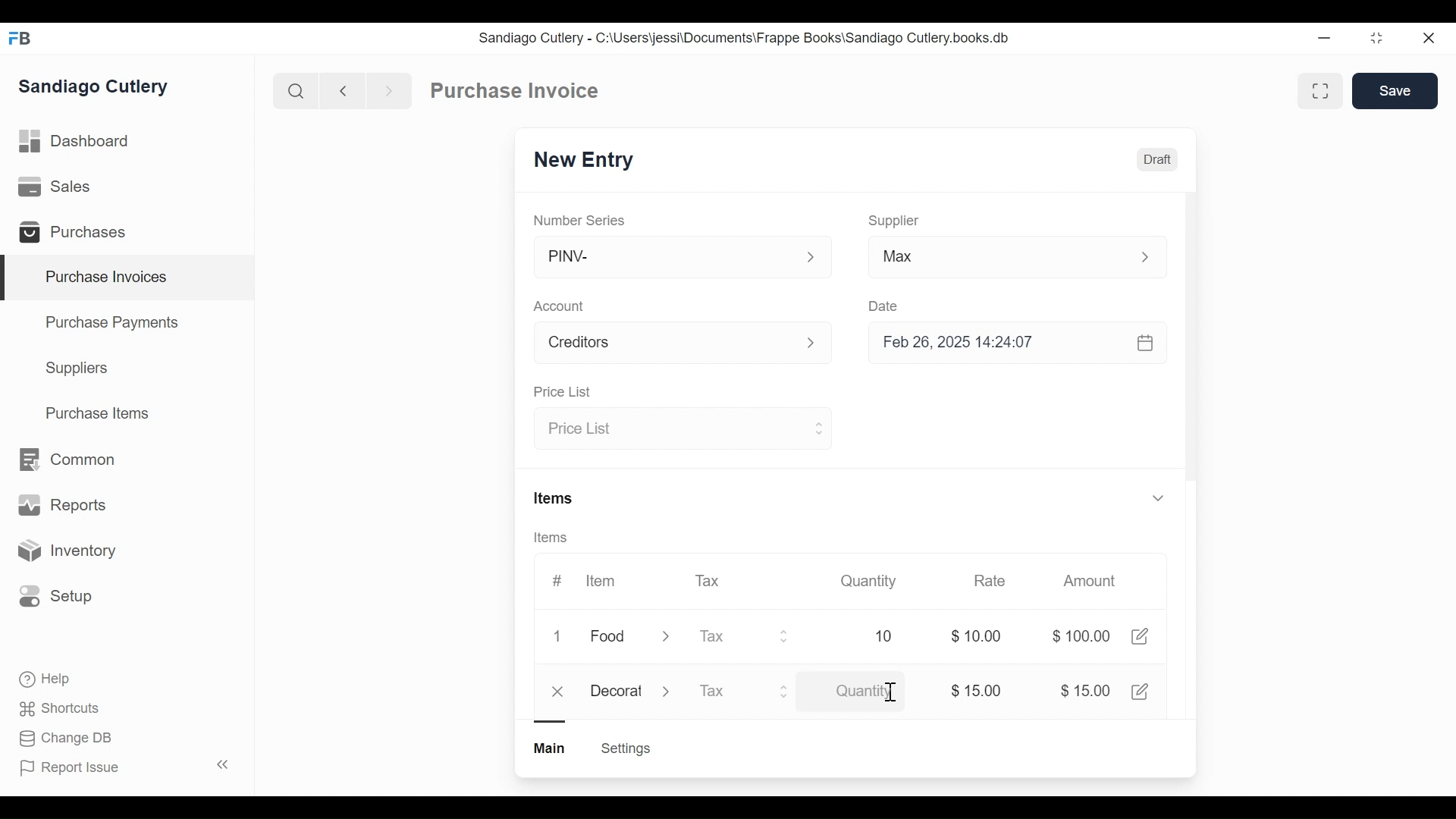 Image resolution: width=1456 pixels, height=819 pixels. What do you see at coordinates (785, 636) in the screenshot?
I see `Expand` at bounding box center [785, 636].